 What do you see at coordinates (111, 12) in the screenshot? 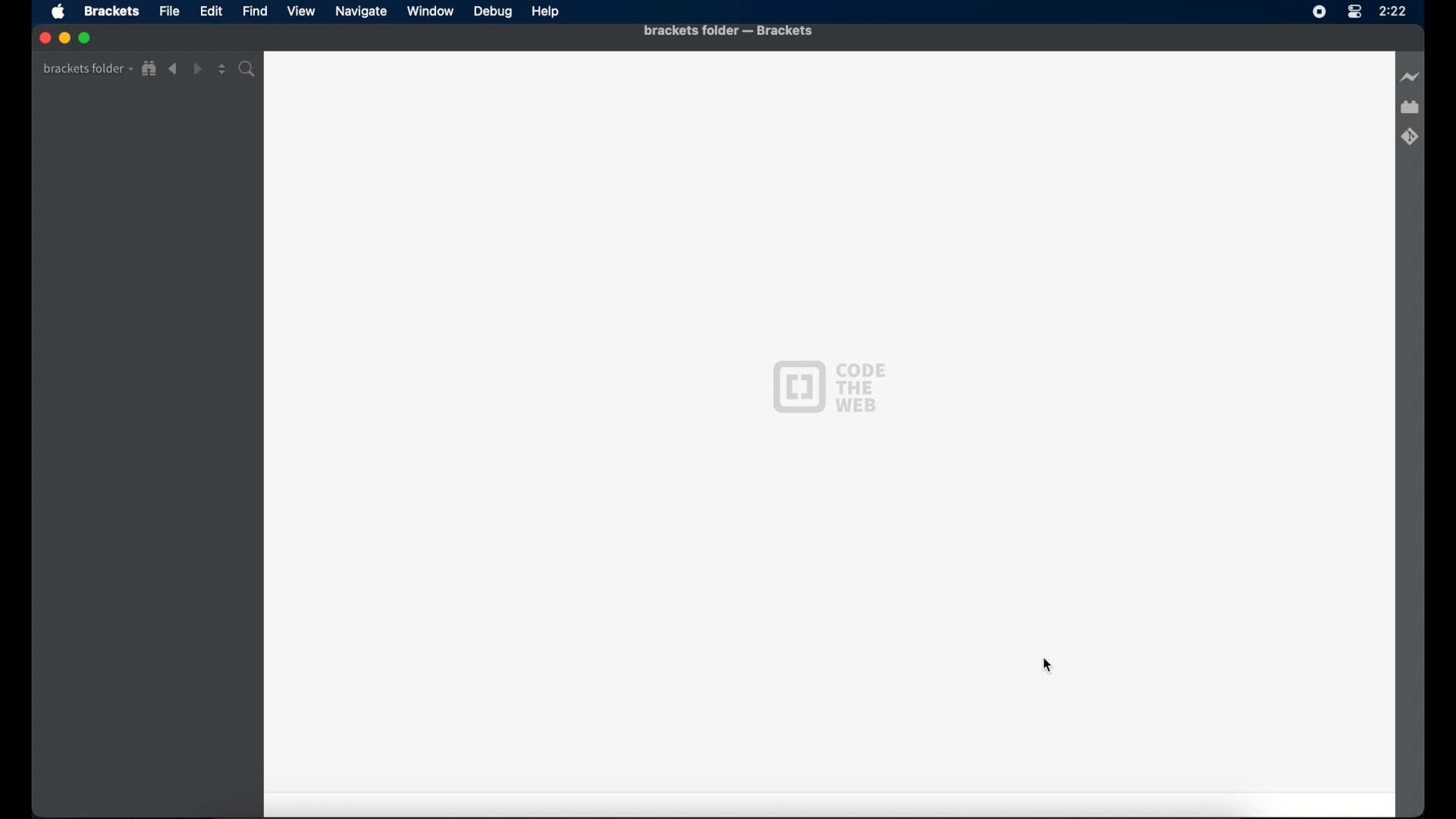
I see `brackets` at bounding box center [111, 12].